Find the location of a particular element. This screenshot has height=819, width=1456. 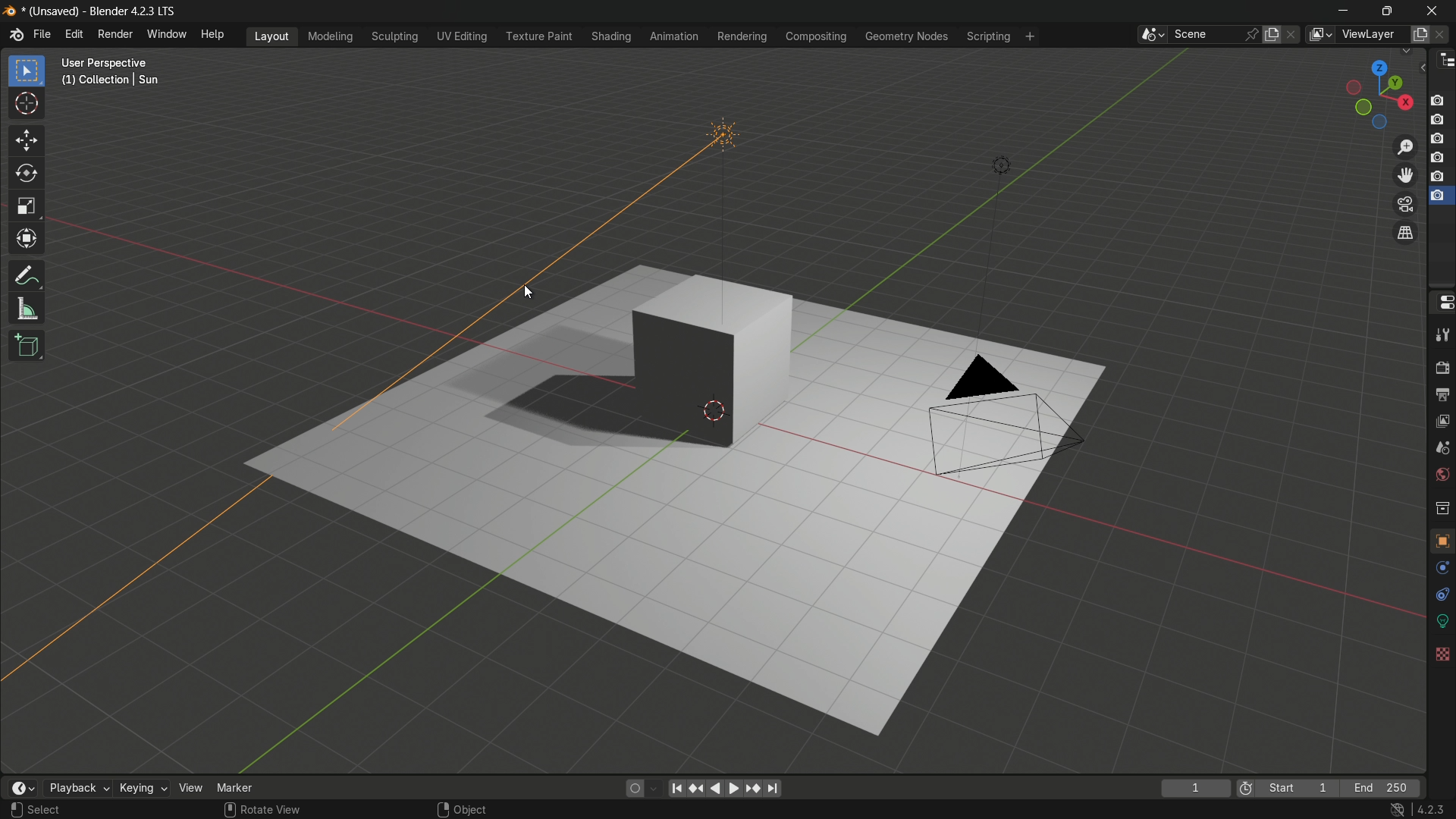

scene name is located at coordinates (1205, 35).